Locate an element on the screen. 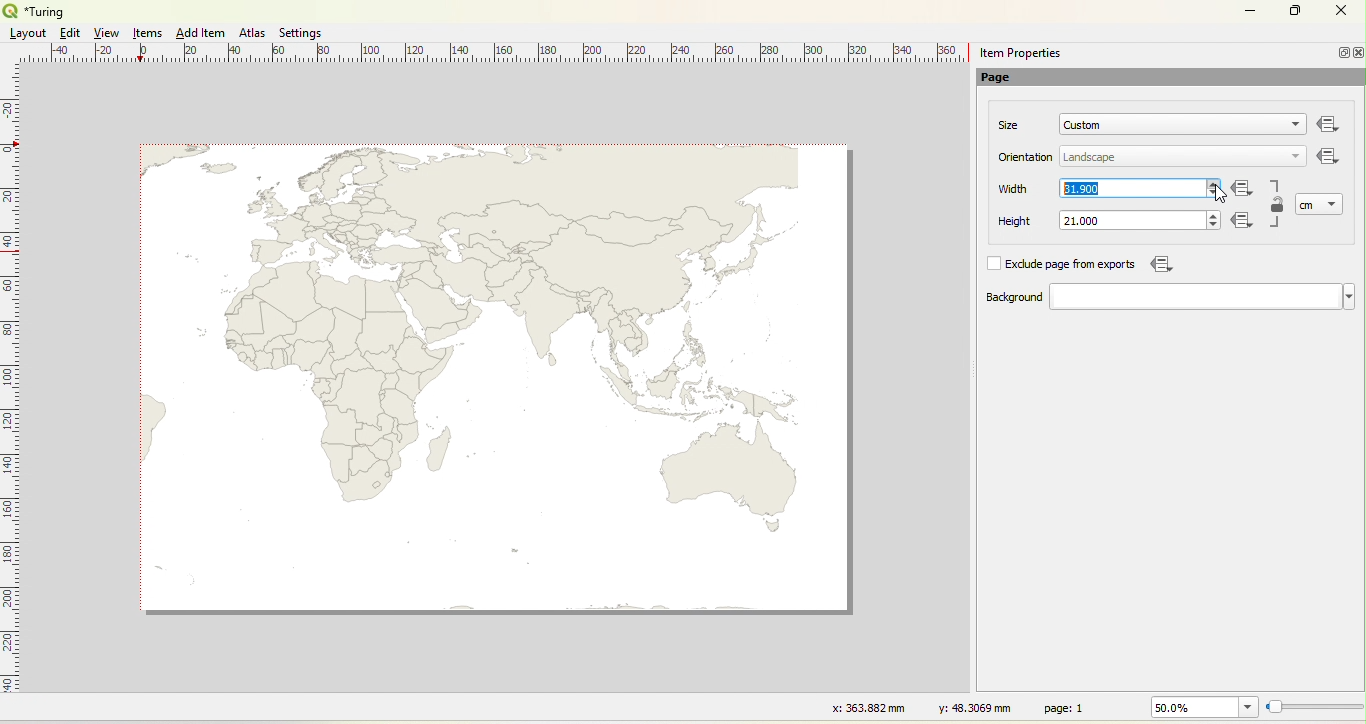 The image size is (1366, 724). Custom is located at coordinates (1083, 125).